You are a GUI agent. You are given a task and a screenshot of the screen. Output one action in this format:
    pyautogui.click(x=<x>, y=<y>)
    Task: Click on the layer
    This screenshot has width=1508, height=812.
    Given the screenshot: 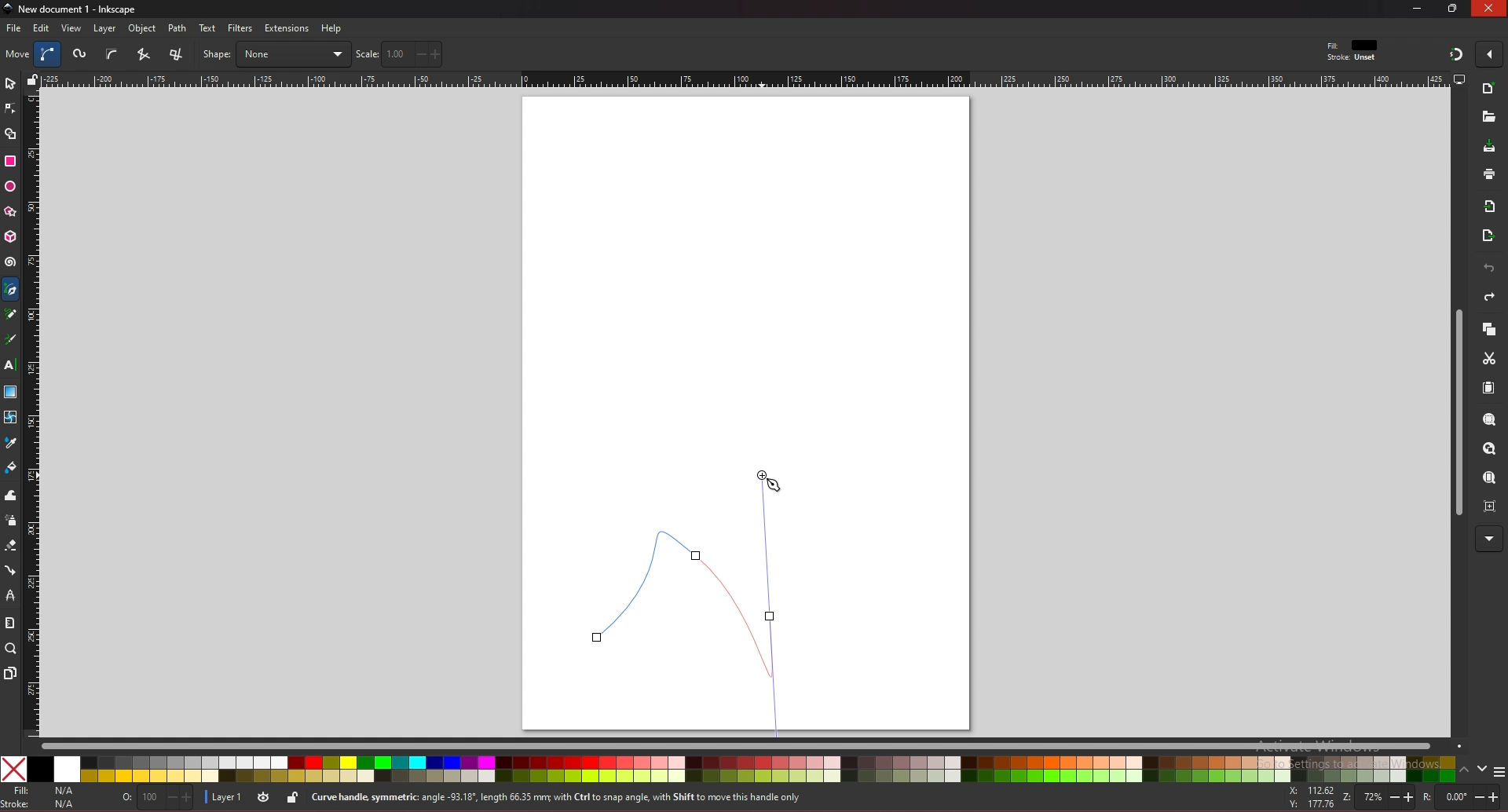 What is the action you would take?
    pyautogui.click(x=104, y=28)
    